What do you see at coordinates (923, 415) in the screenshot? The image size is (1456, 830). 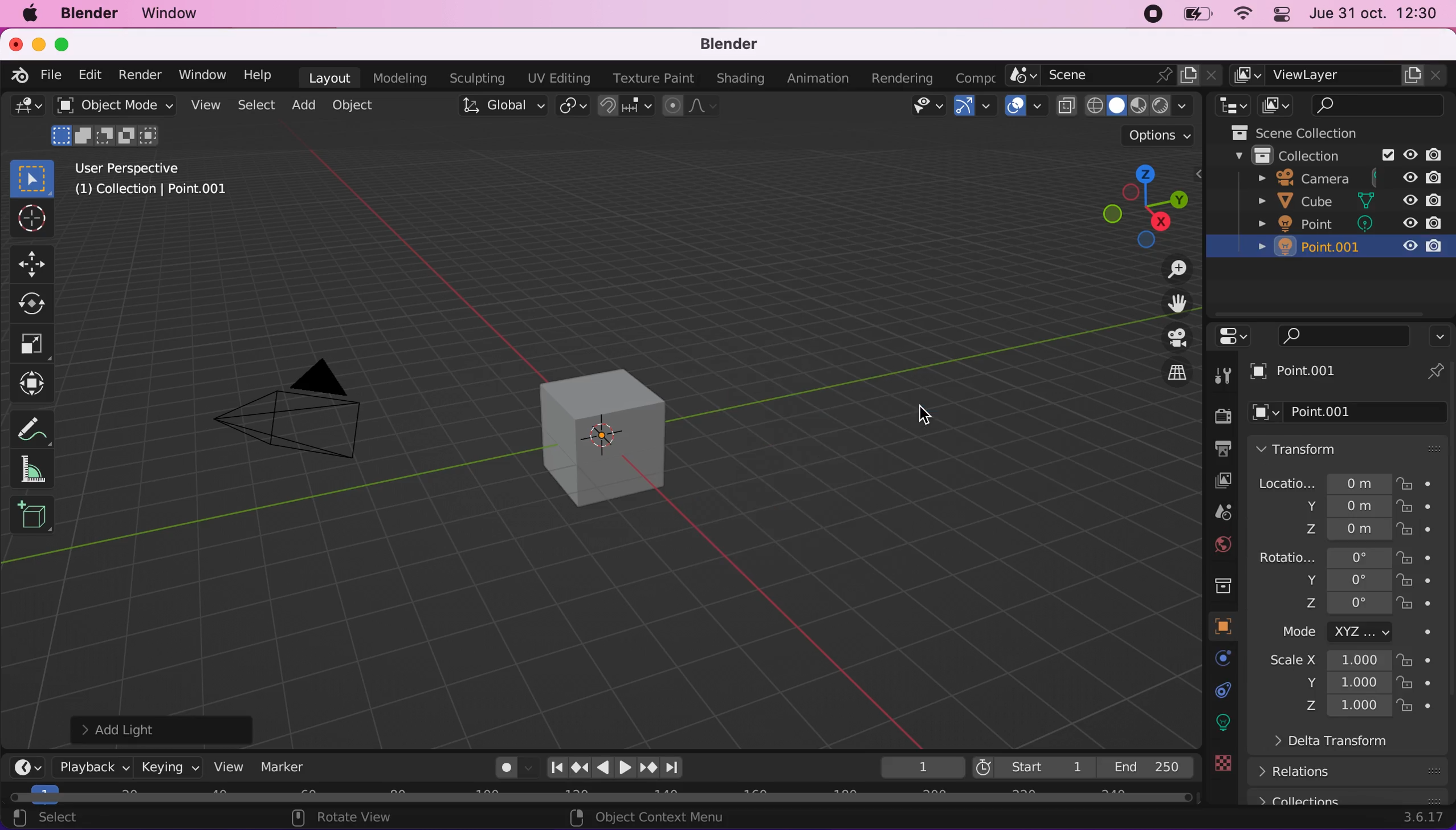 I see `cursor` at bounding box center [923, 415].